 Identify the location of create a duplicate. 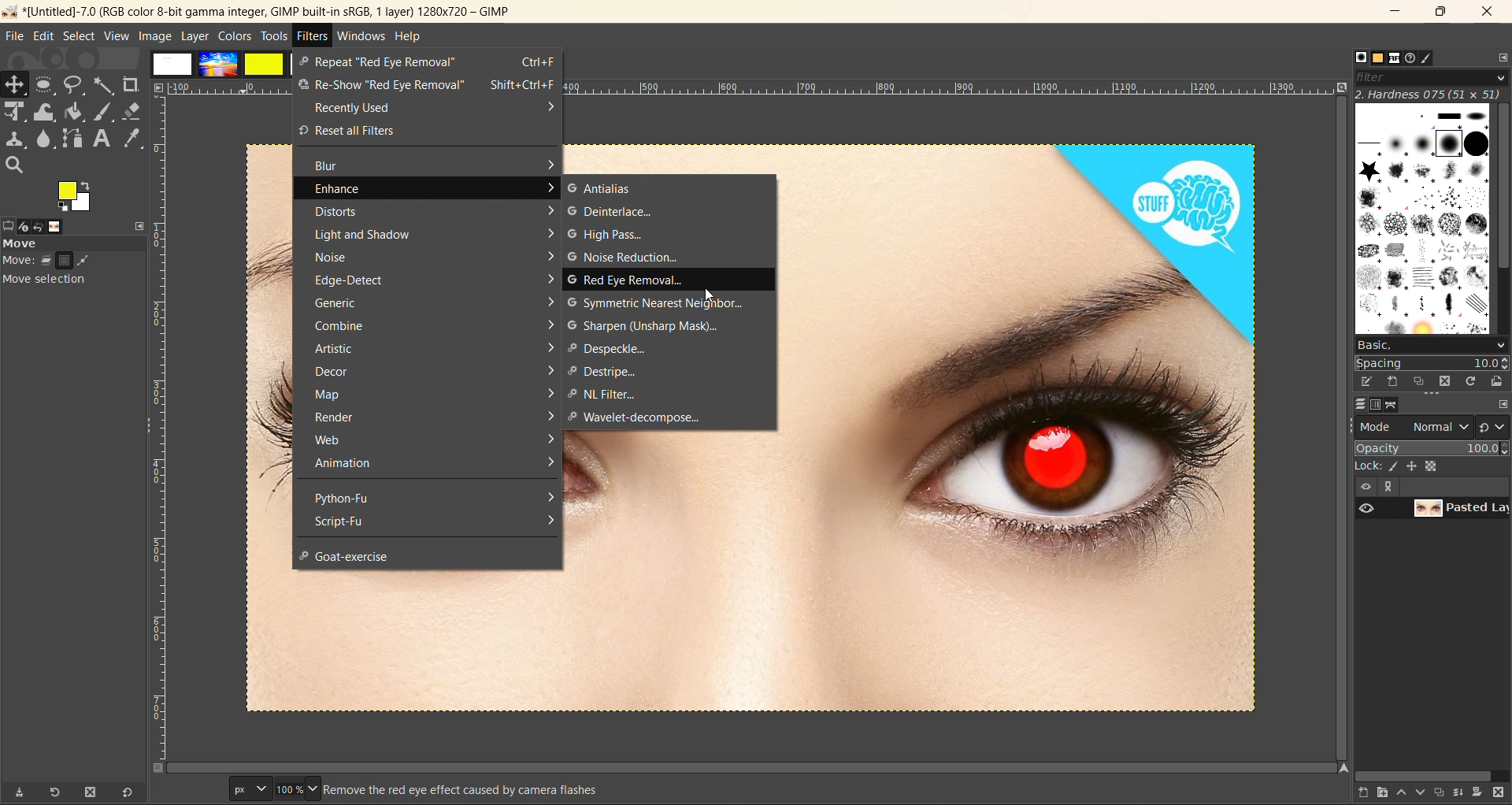
(1440, 793).